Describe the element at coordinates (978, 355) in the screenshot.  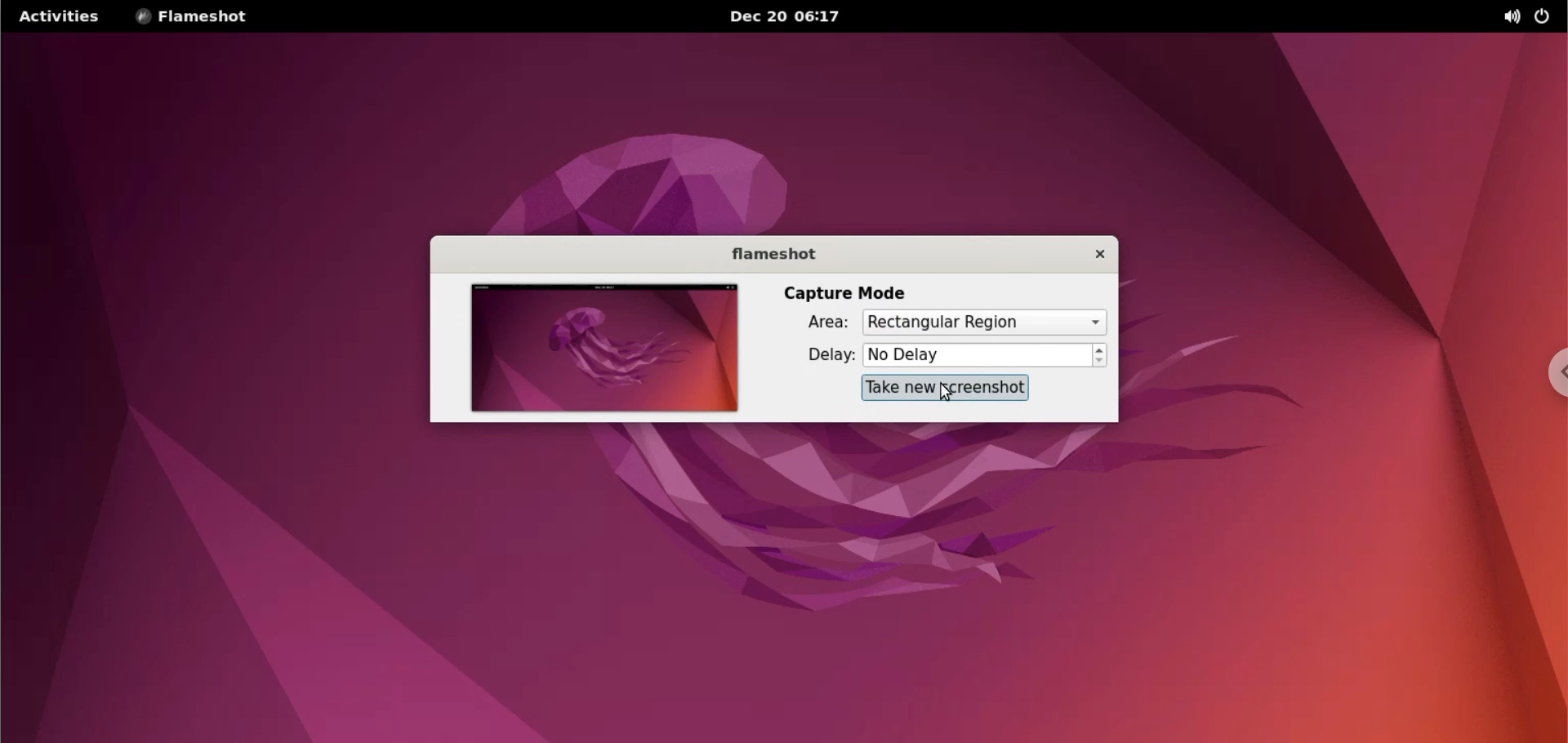
I see `delay time` at that location.